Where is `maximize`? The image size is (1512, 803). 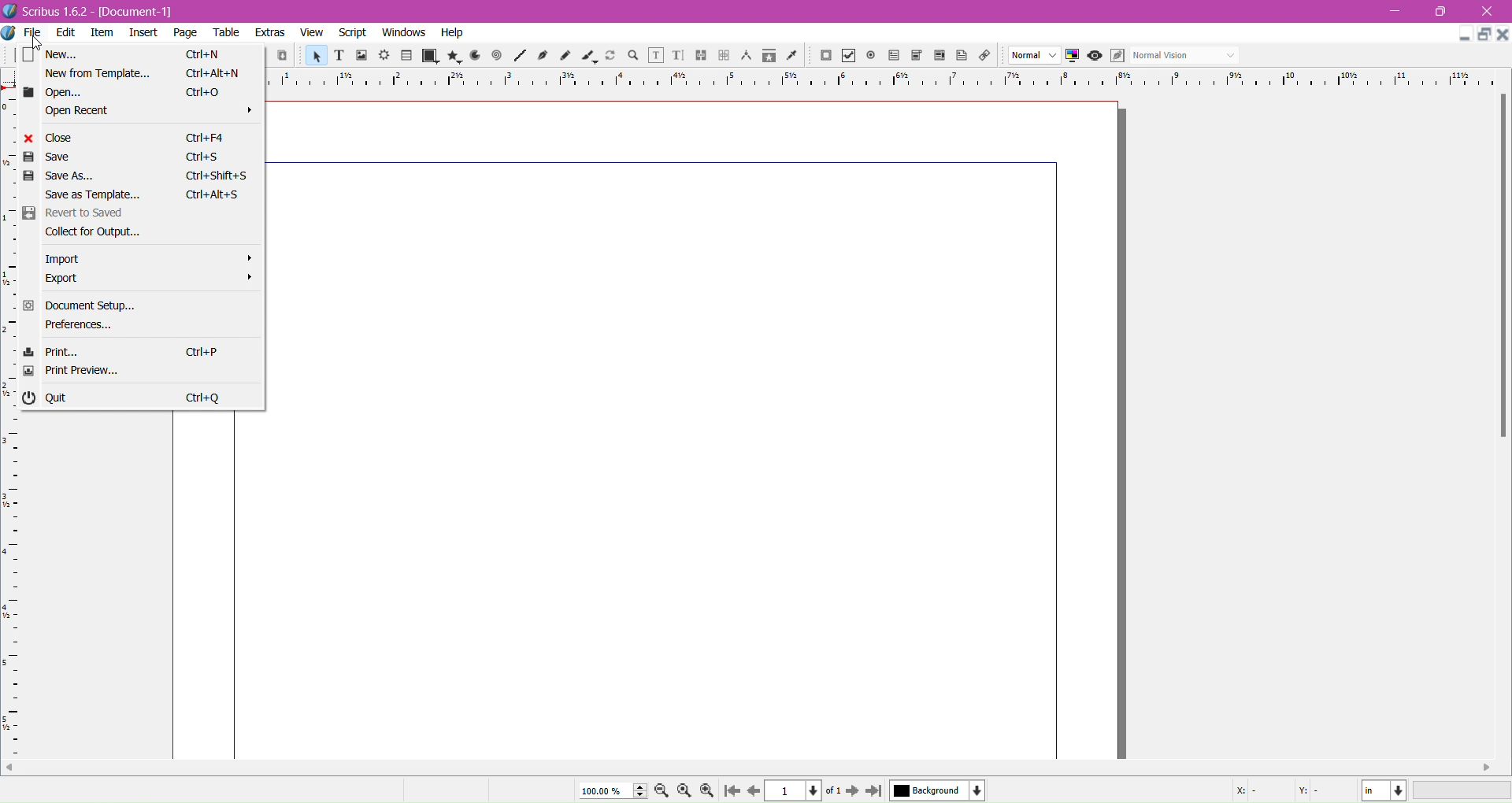 maximize is located at coordinates (1448, 11).